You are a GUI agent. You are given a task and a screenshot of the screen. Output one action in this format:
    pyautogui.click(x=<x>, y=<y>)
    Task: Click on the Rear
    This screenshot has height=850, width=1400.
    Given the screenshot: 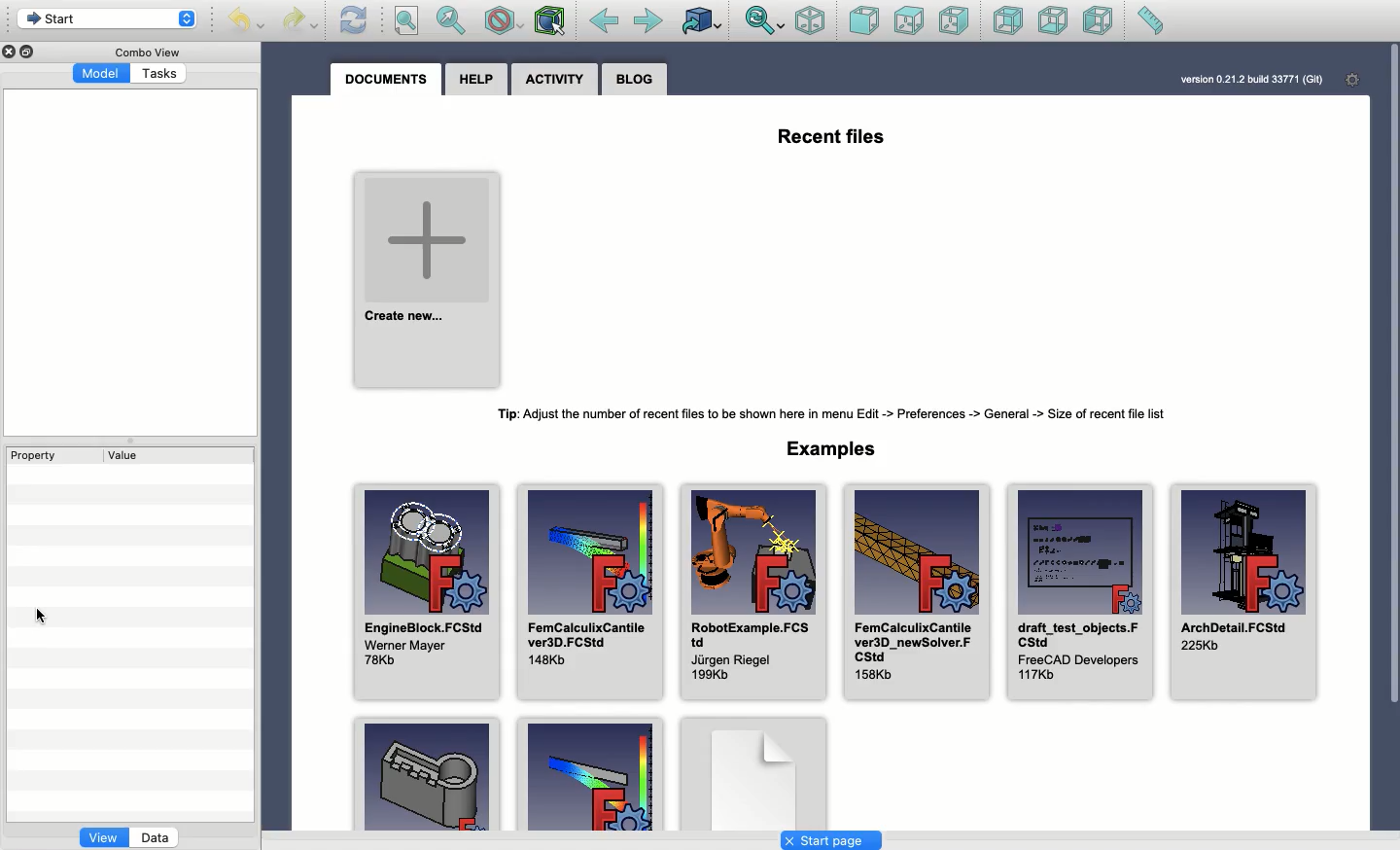 What is the action you would take?
    pyautogui.click(x=1010, y=21)
    